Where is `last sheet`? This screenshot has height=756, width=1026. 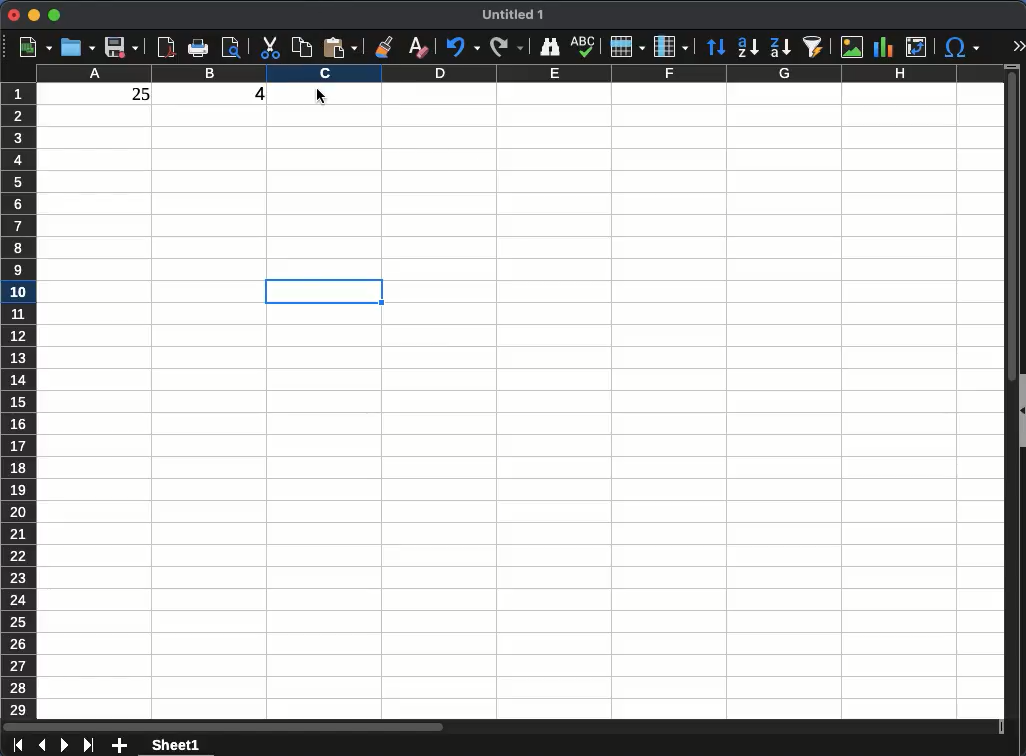 last sheet is located at coordinates (90, 745).